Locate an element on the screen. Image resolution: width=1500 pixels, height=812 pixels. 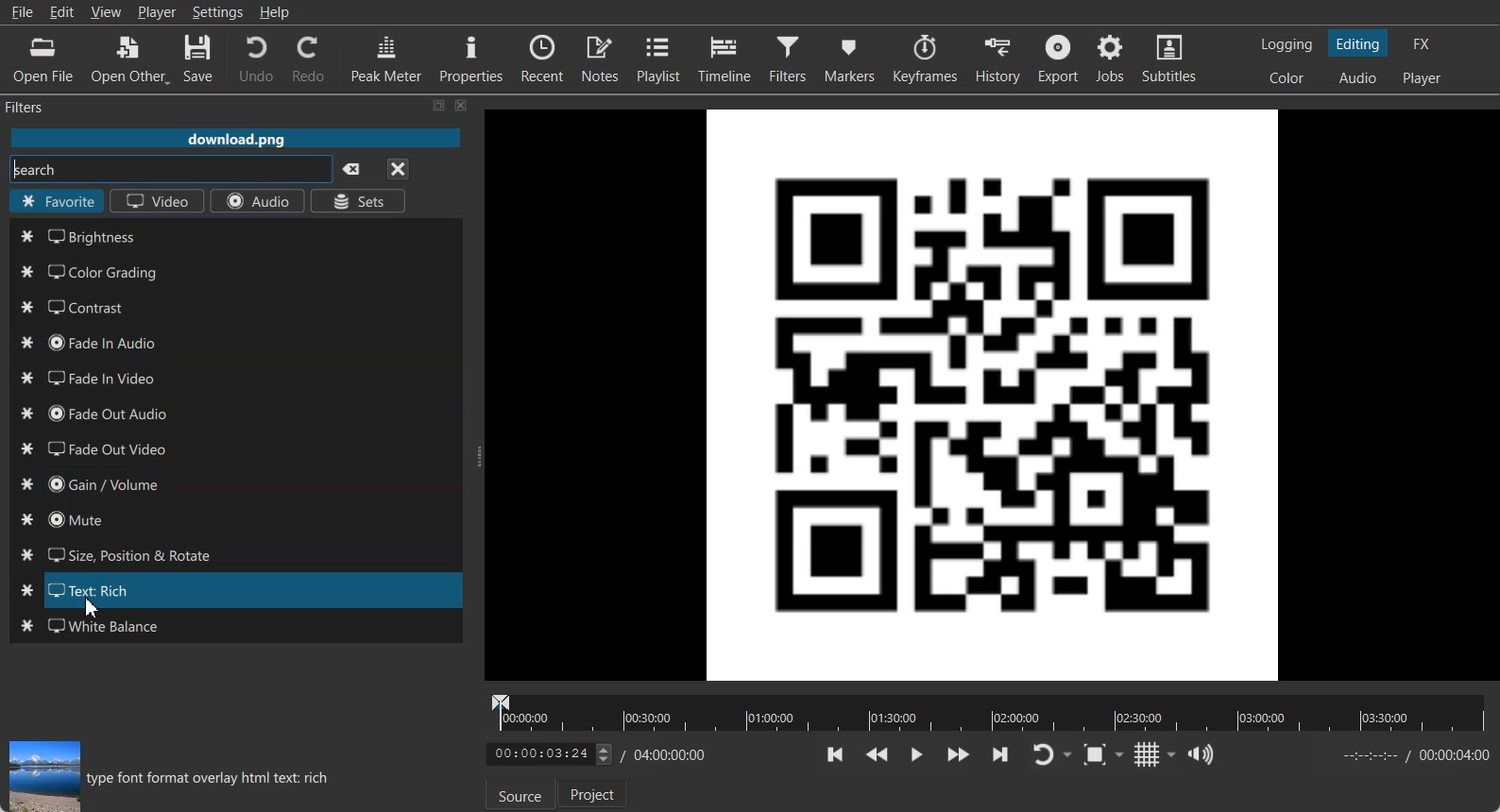
Brightness is located at coordinates (235, 235).